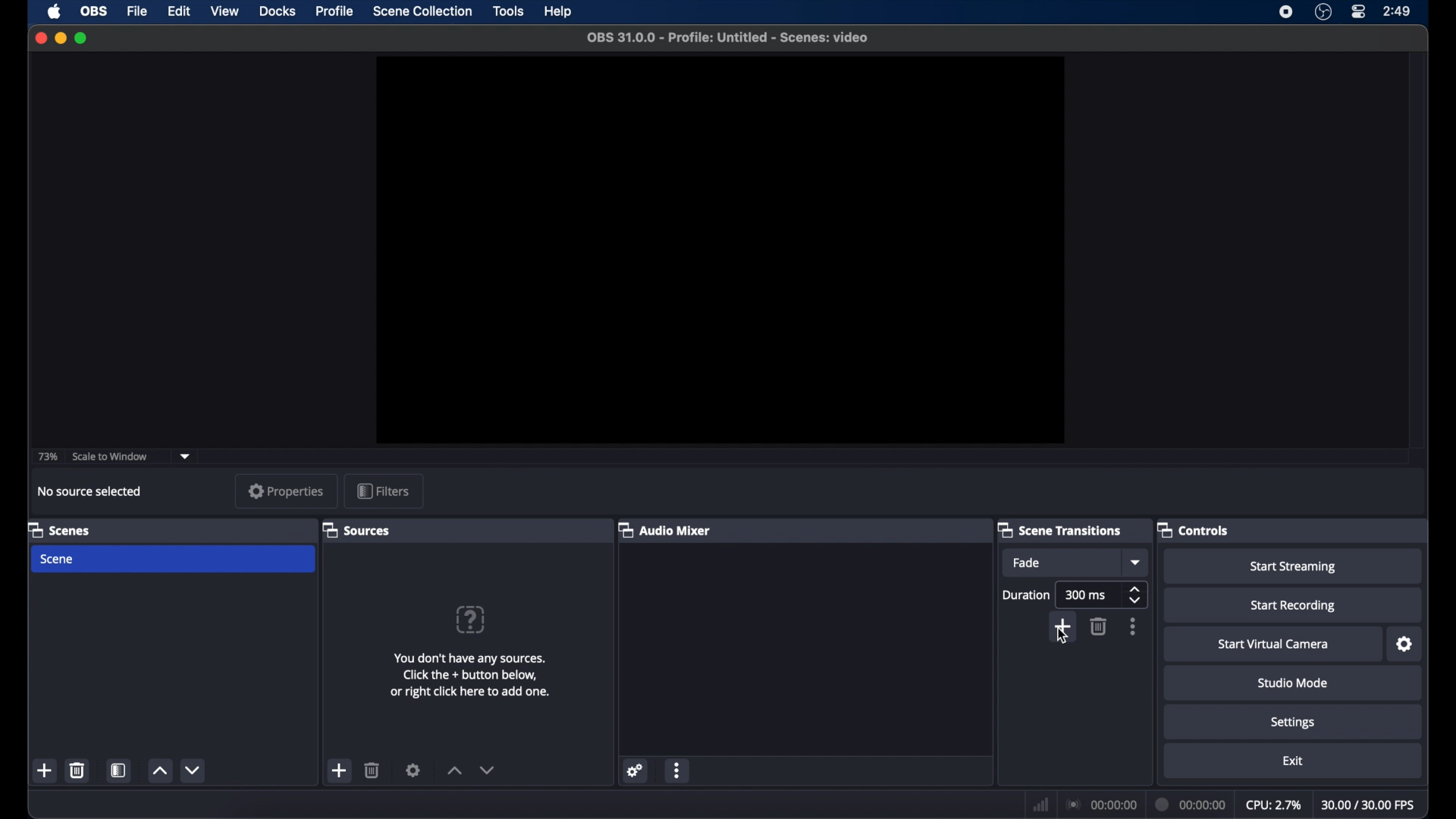 Image resolution: width=1456 pixels, height=819 pixels. What do you see at coordinates (1293, 566) in the screenshot?
I see `start streaming` at bounding box center [1293, 566].